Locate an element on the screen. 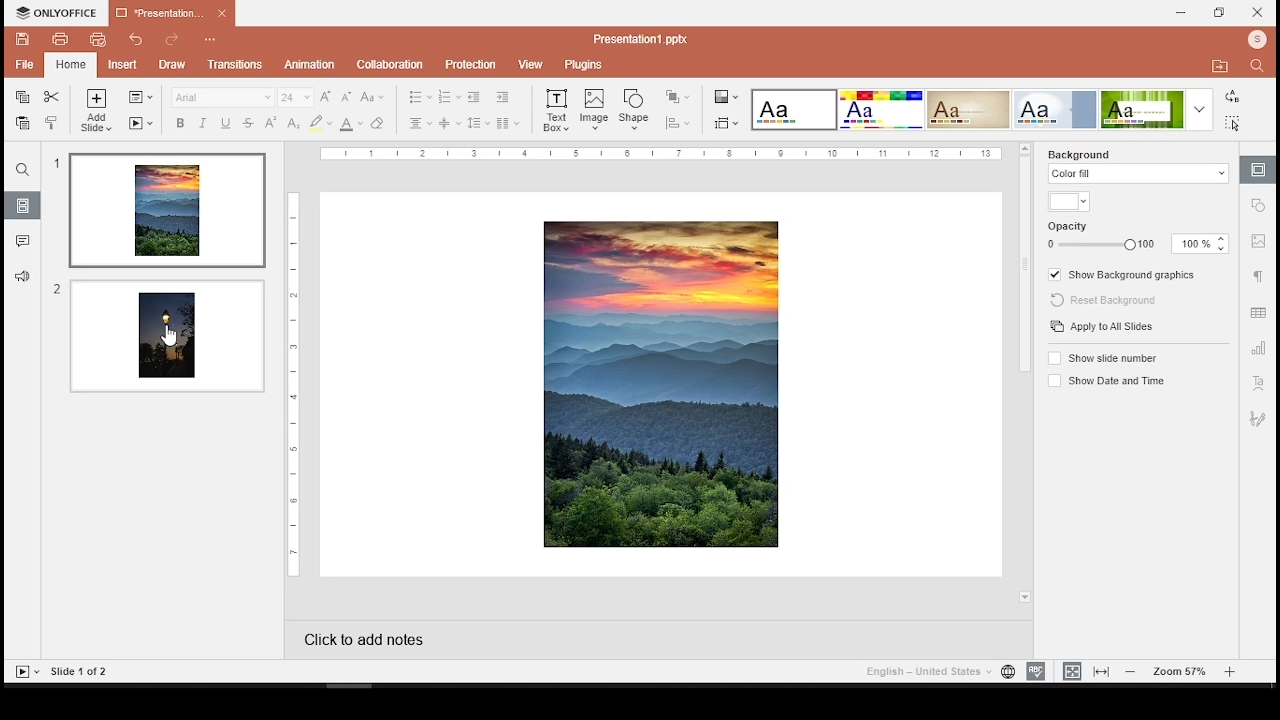  support and feedback is located at coordinates (22, 275).